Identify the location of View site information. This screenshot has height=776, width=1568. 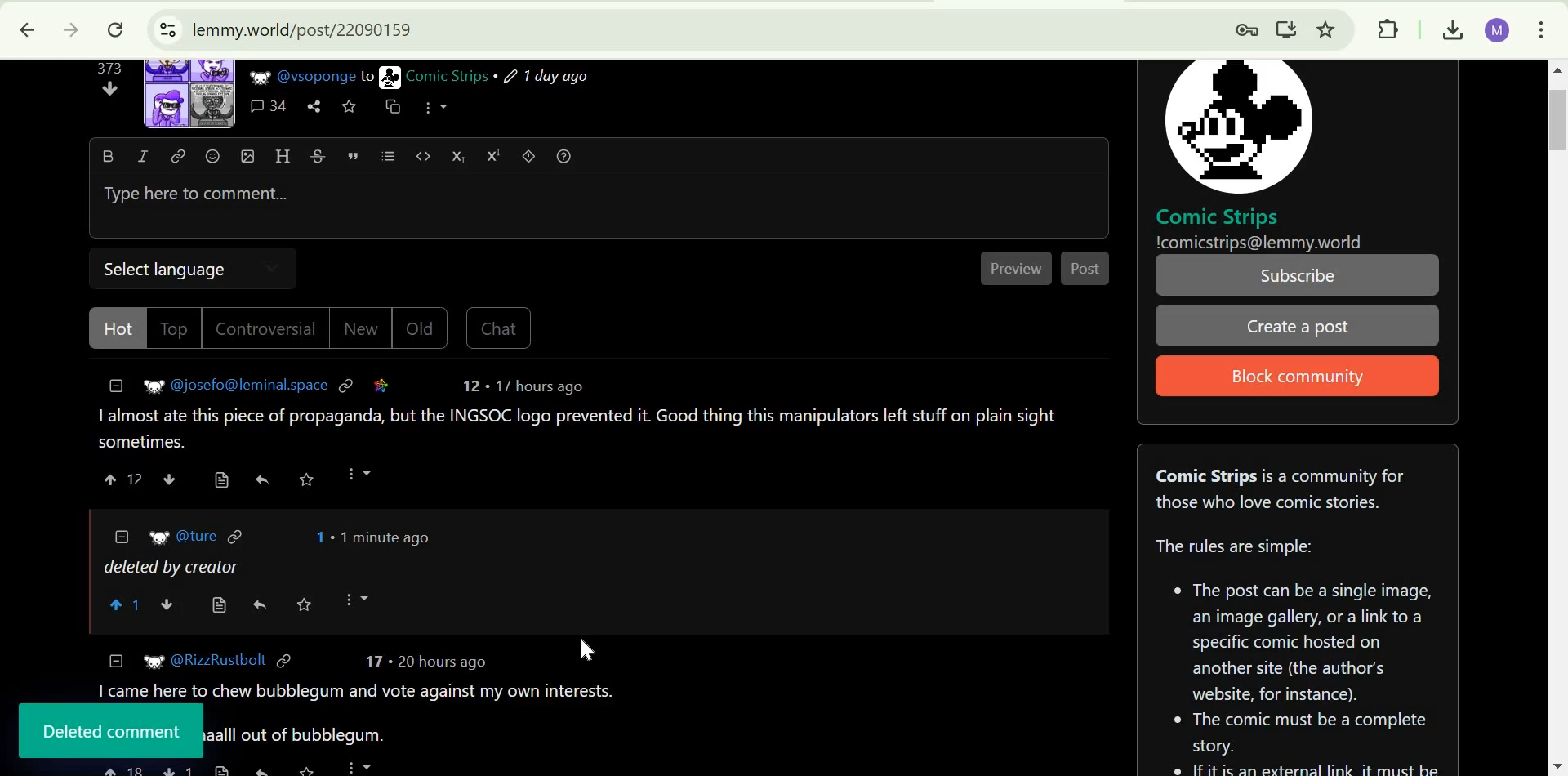
(165, 30).